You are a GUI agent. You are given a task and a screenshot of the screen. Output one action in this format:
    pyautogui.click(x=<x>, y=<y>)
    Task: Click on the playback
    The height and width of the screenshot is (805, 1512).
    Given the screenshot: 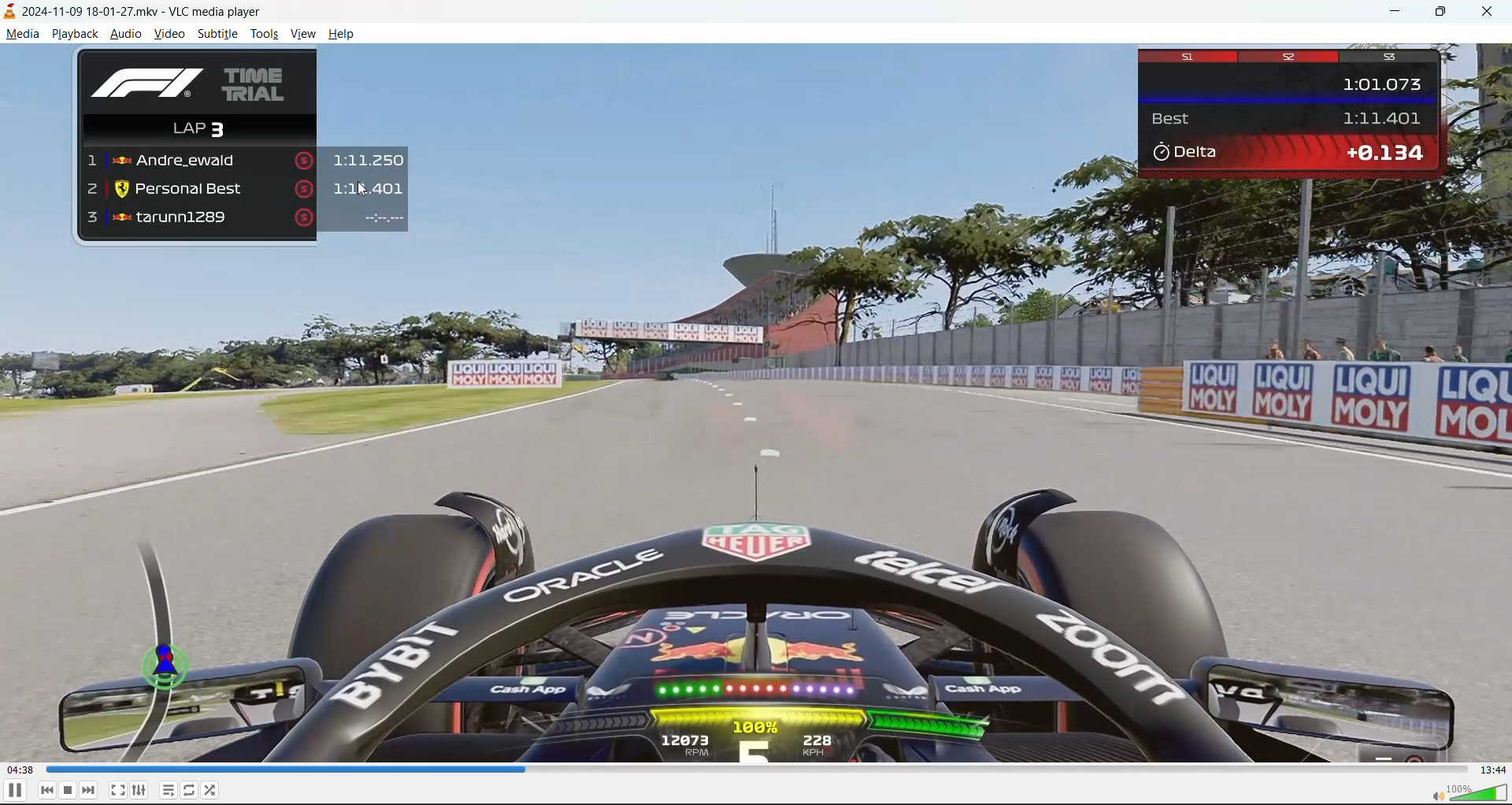 What is the action you would take?
    pyautogui.click(x=75, y=35)
    